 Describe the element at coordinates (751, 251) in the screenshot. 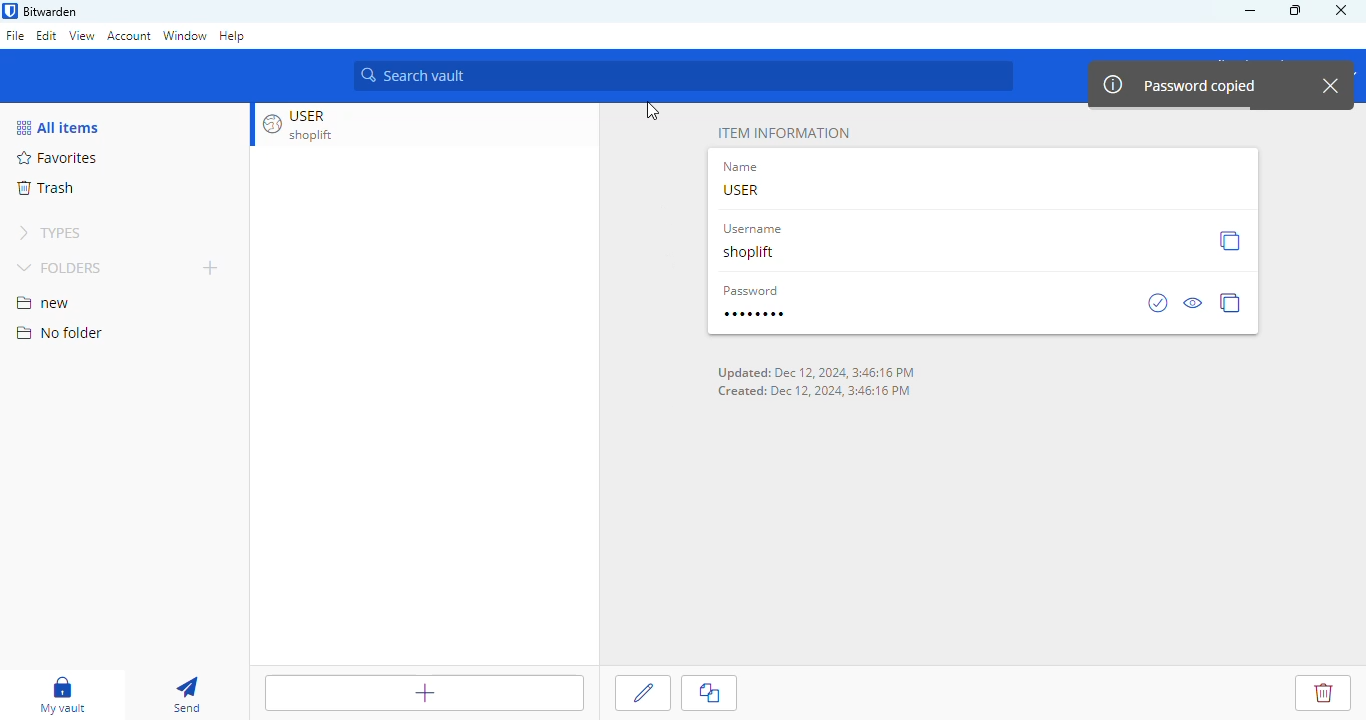

I see `shoplift` at that location.